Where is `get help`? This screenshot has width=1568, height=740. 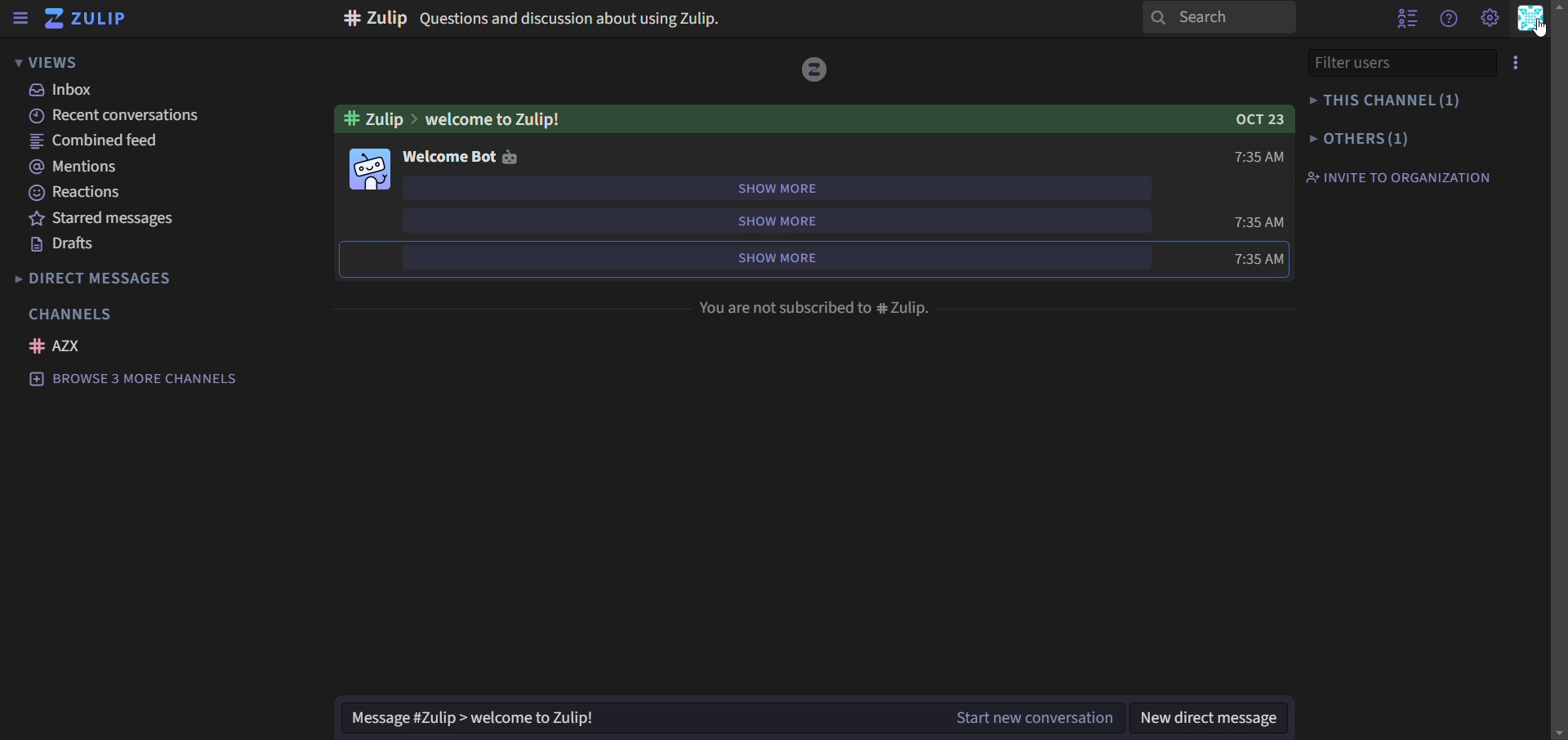
get help is located at coordinates (1450, 19).